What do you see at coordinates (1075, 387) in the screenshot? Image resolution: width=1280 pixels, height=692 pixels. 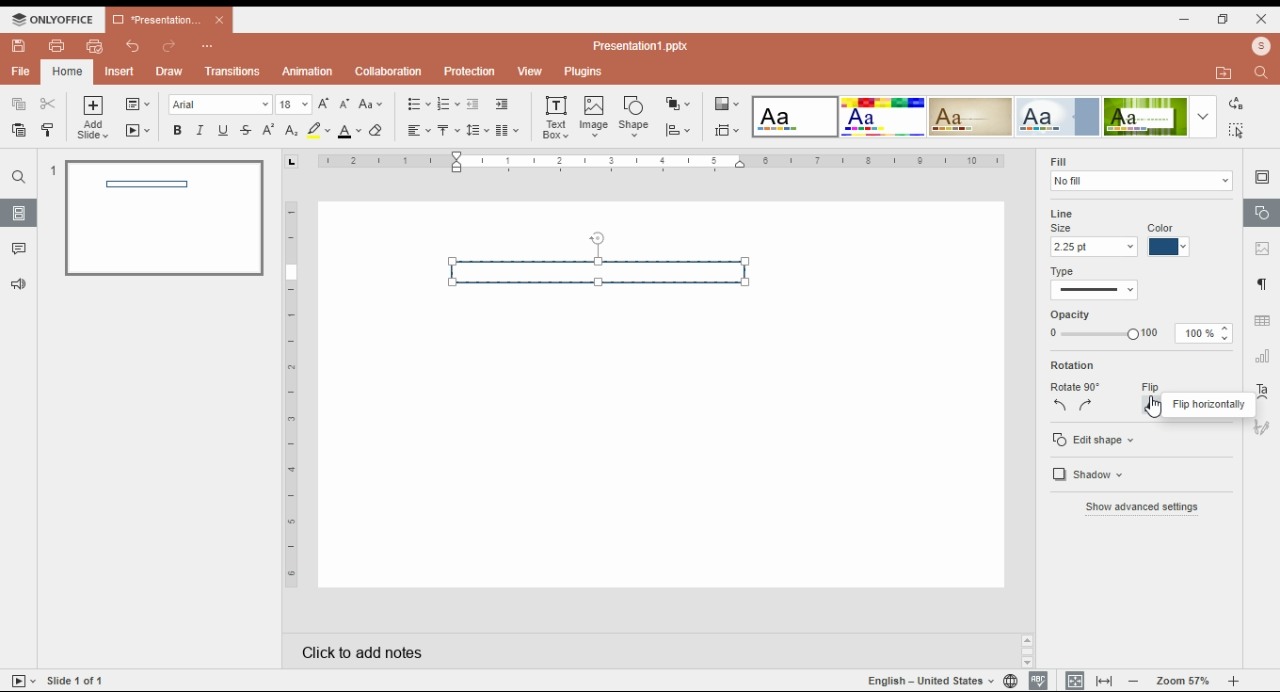 I see `rotate 90` at bounding box center [1075, 387].